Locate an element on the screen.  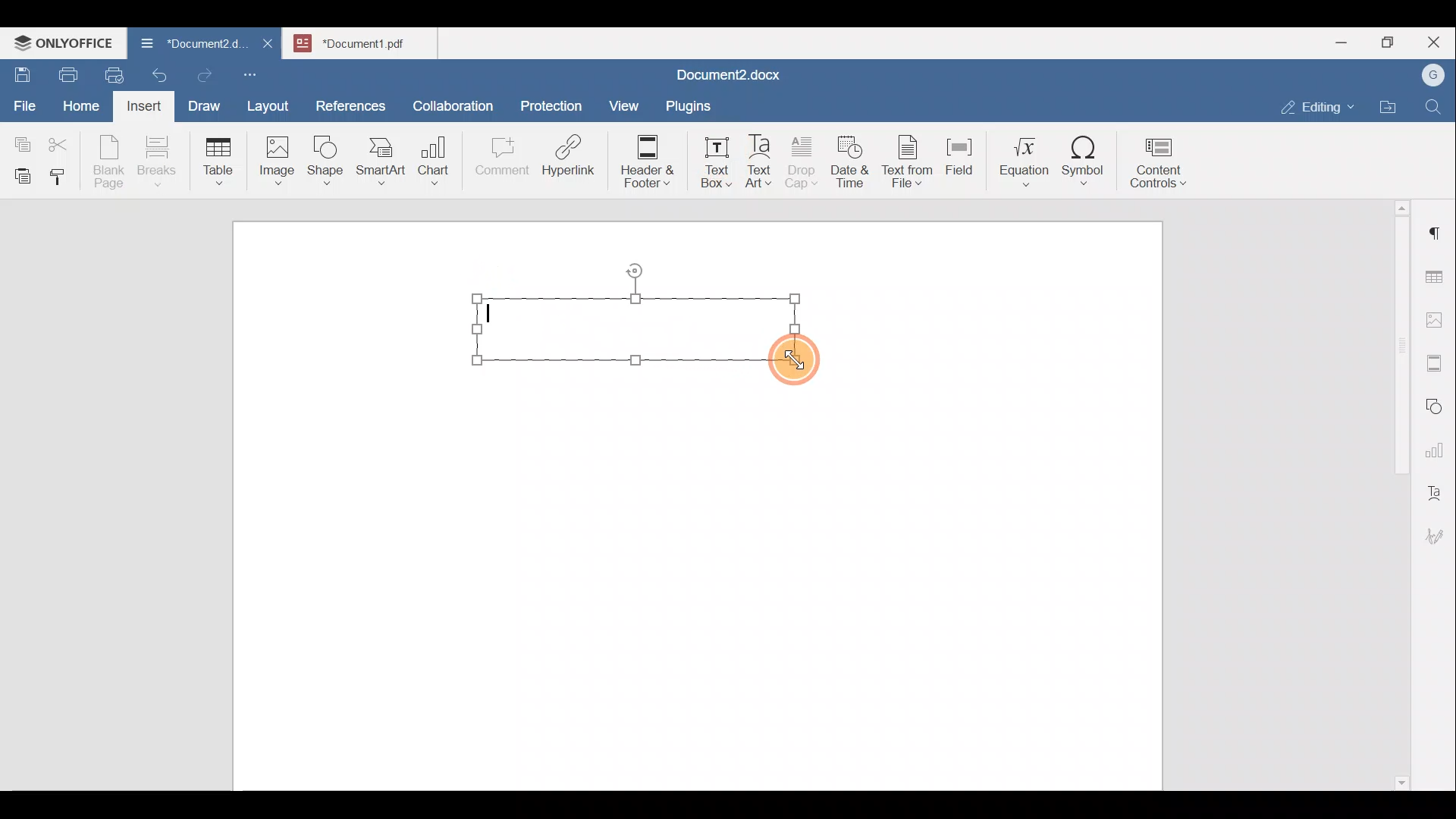
File is located at coordinates (26, 101).